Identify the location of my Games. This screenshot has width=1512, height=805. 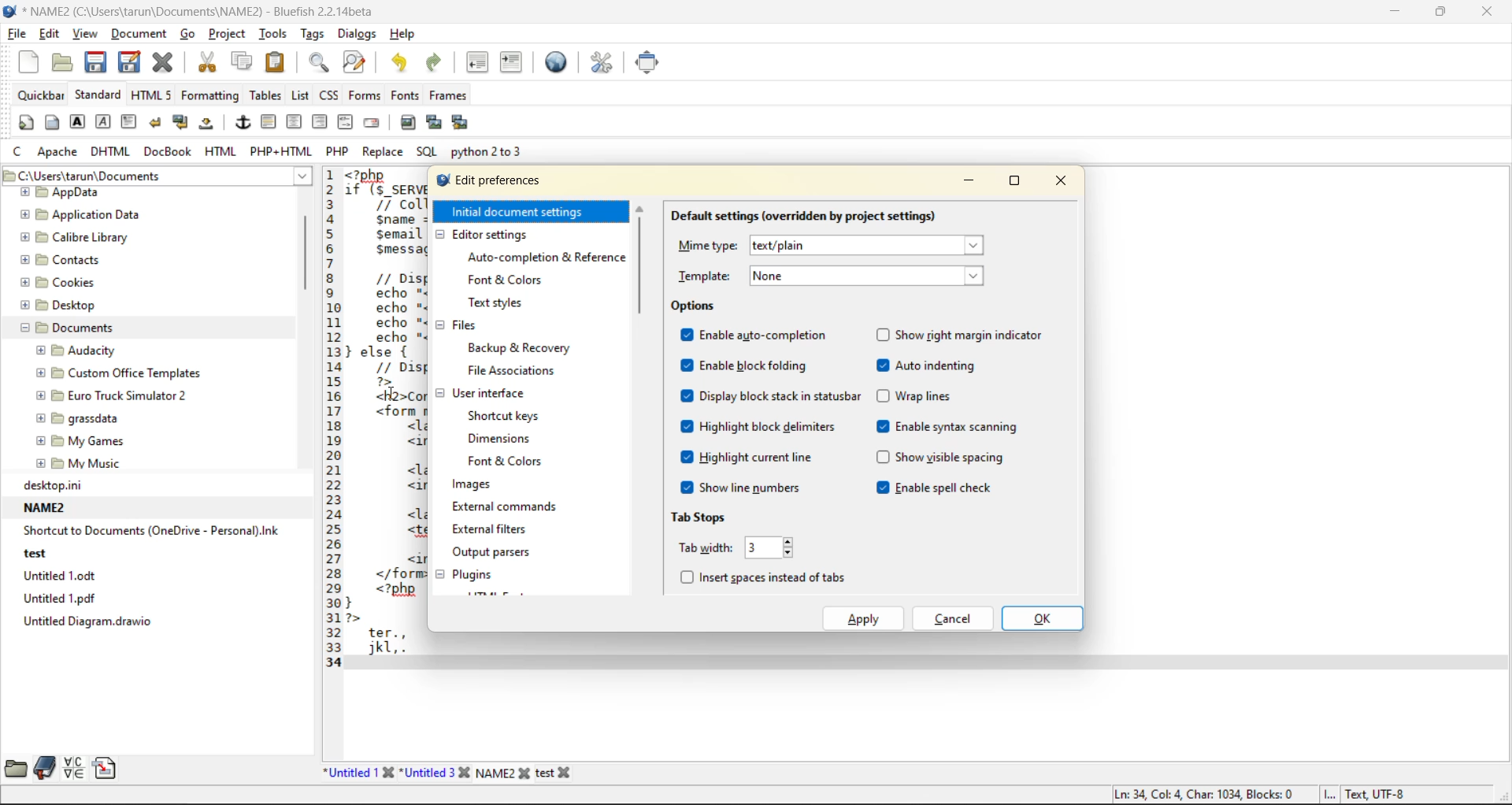
(81, 442).